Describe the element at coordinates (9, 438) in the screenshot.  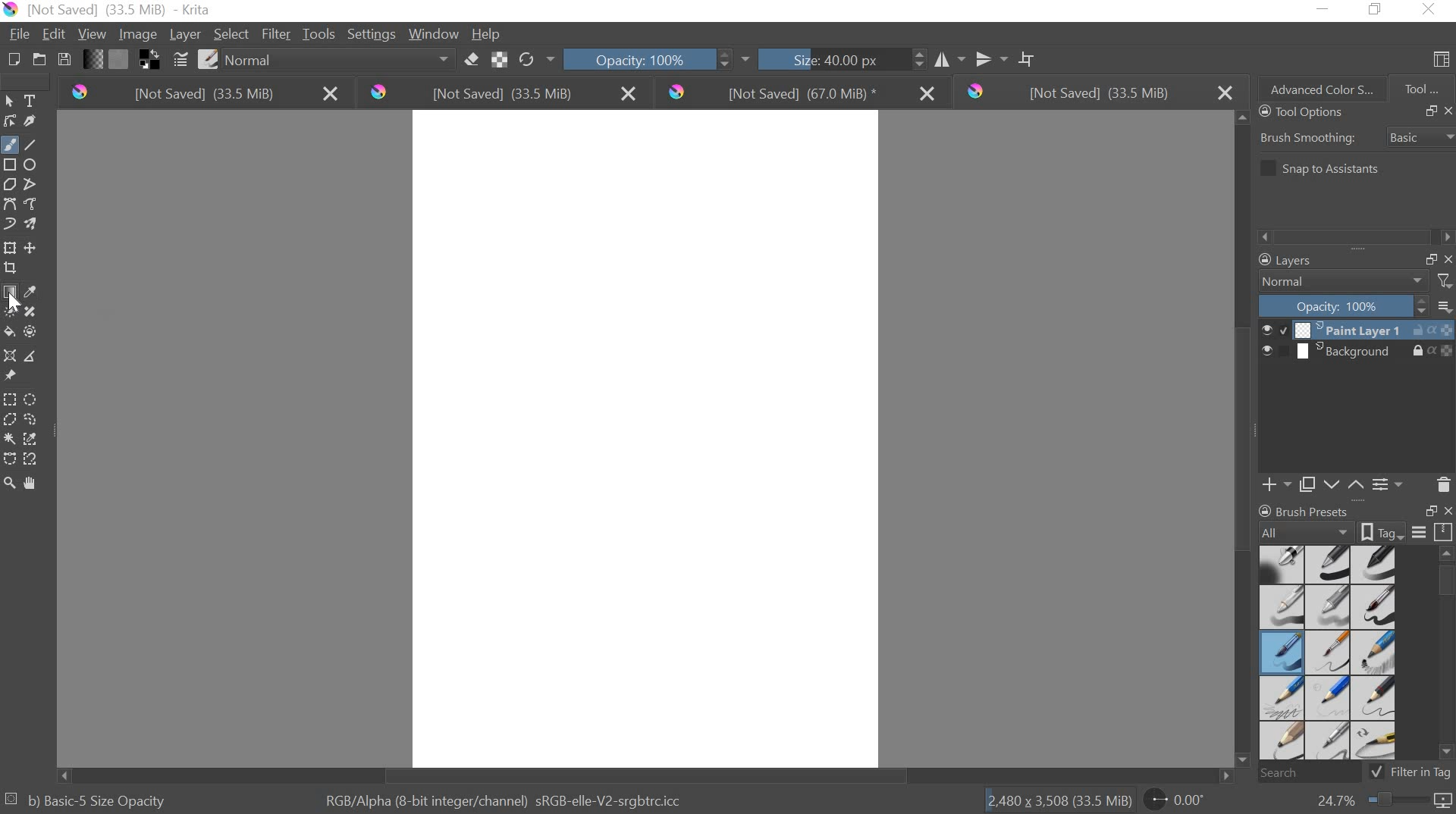
I see `continuous selection` at that location.